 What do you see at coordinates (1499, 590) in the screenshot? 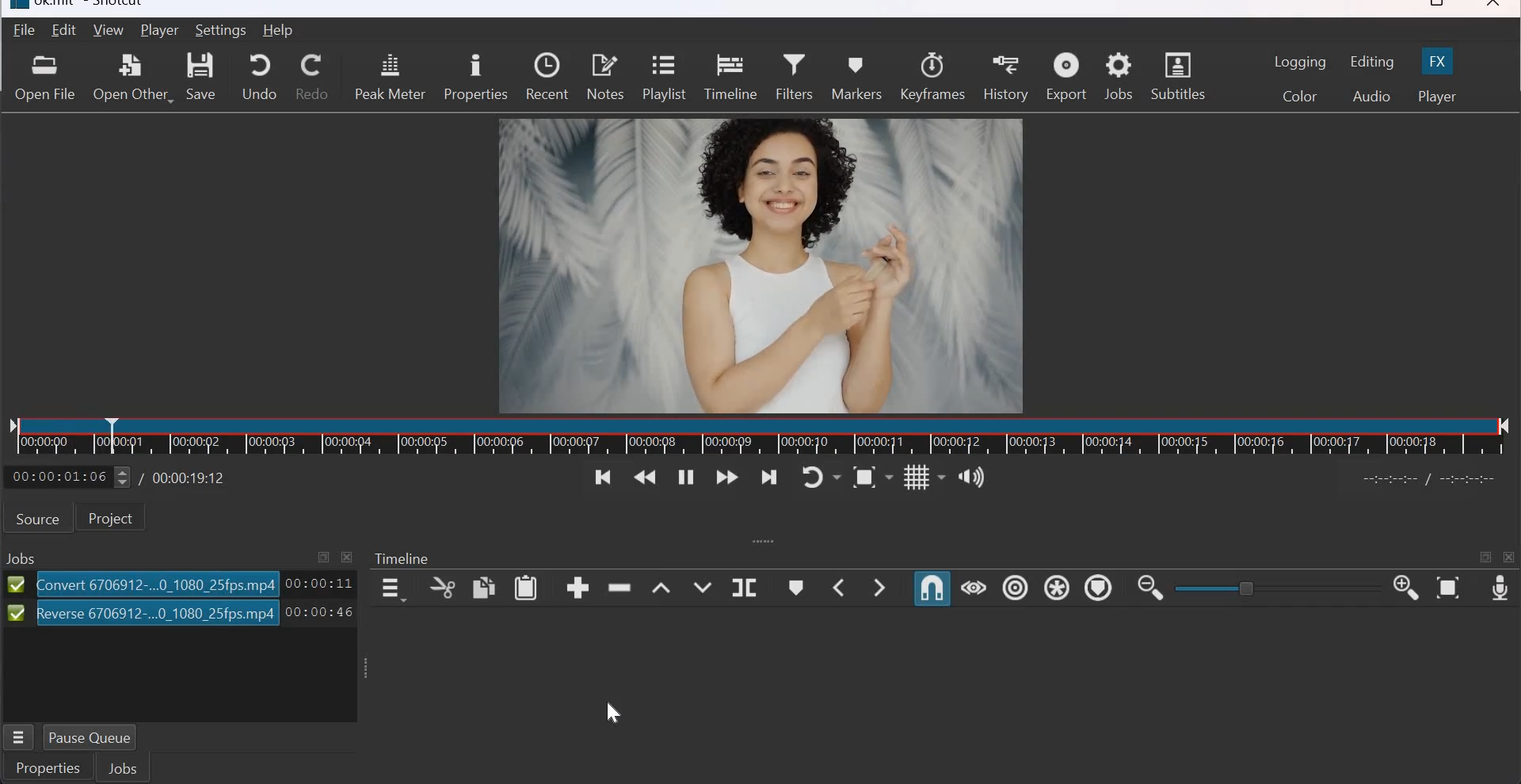
I see `Record Audio` at bounding box center [1499, 590].